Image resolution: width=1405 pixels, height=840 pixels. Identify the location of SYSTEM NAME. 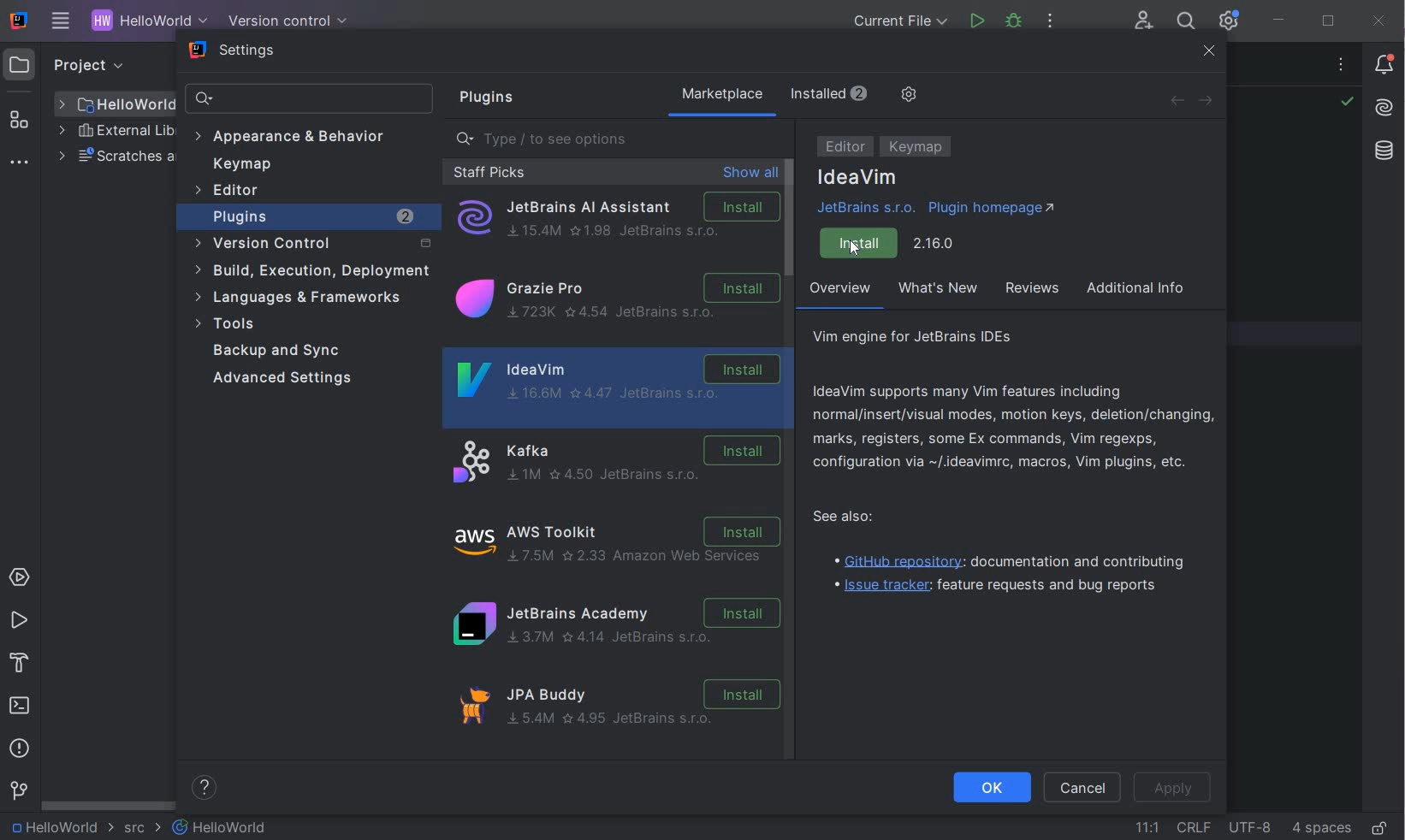
(16, 21).